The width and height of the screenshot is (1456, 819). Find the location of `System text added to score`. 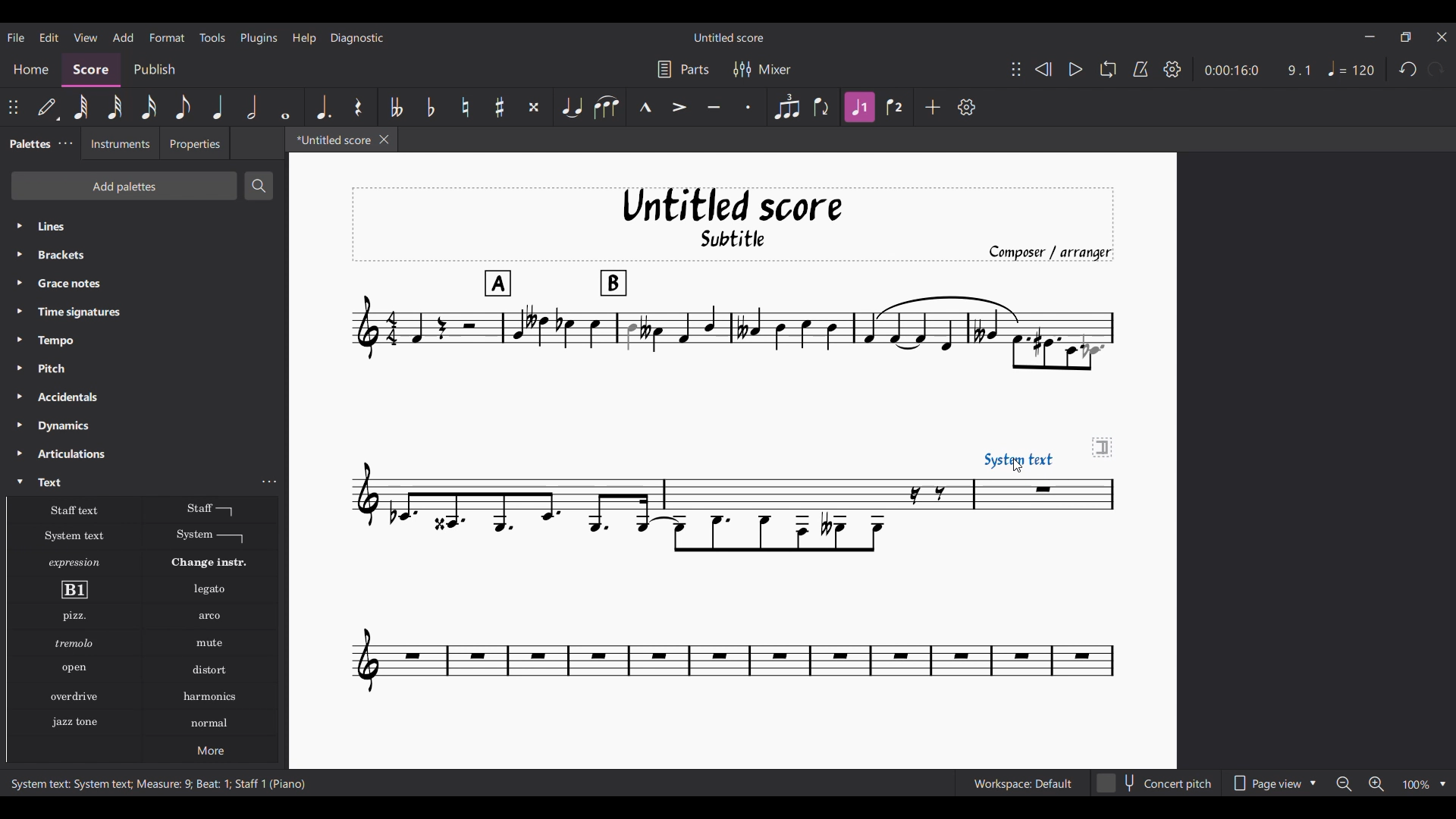

System text added to score is located at coordinates (1044, 476).